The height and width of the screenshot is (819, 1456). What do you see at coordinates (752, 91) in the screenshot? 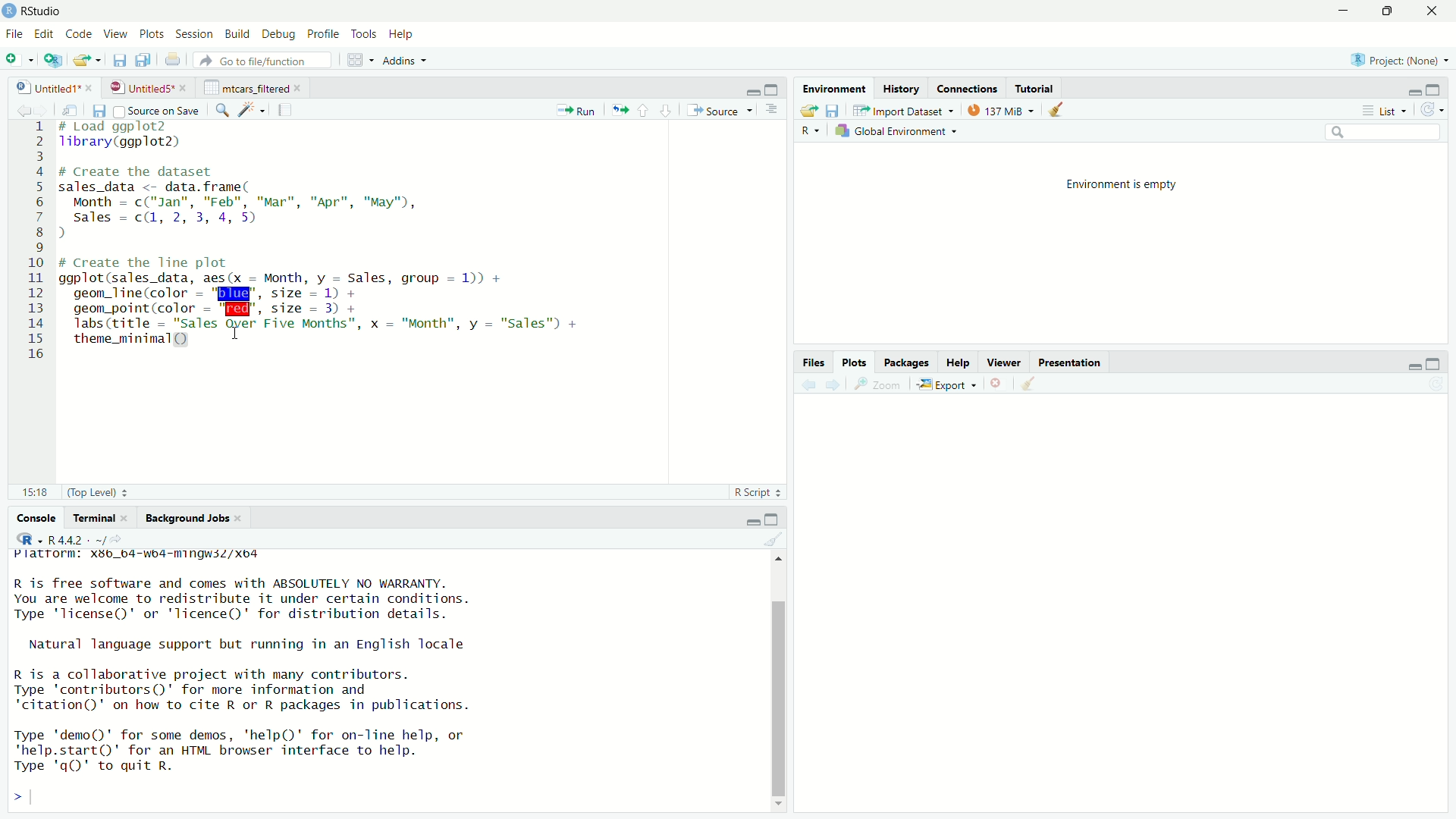
I see `minimize` at bounding box center [752, 91].